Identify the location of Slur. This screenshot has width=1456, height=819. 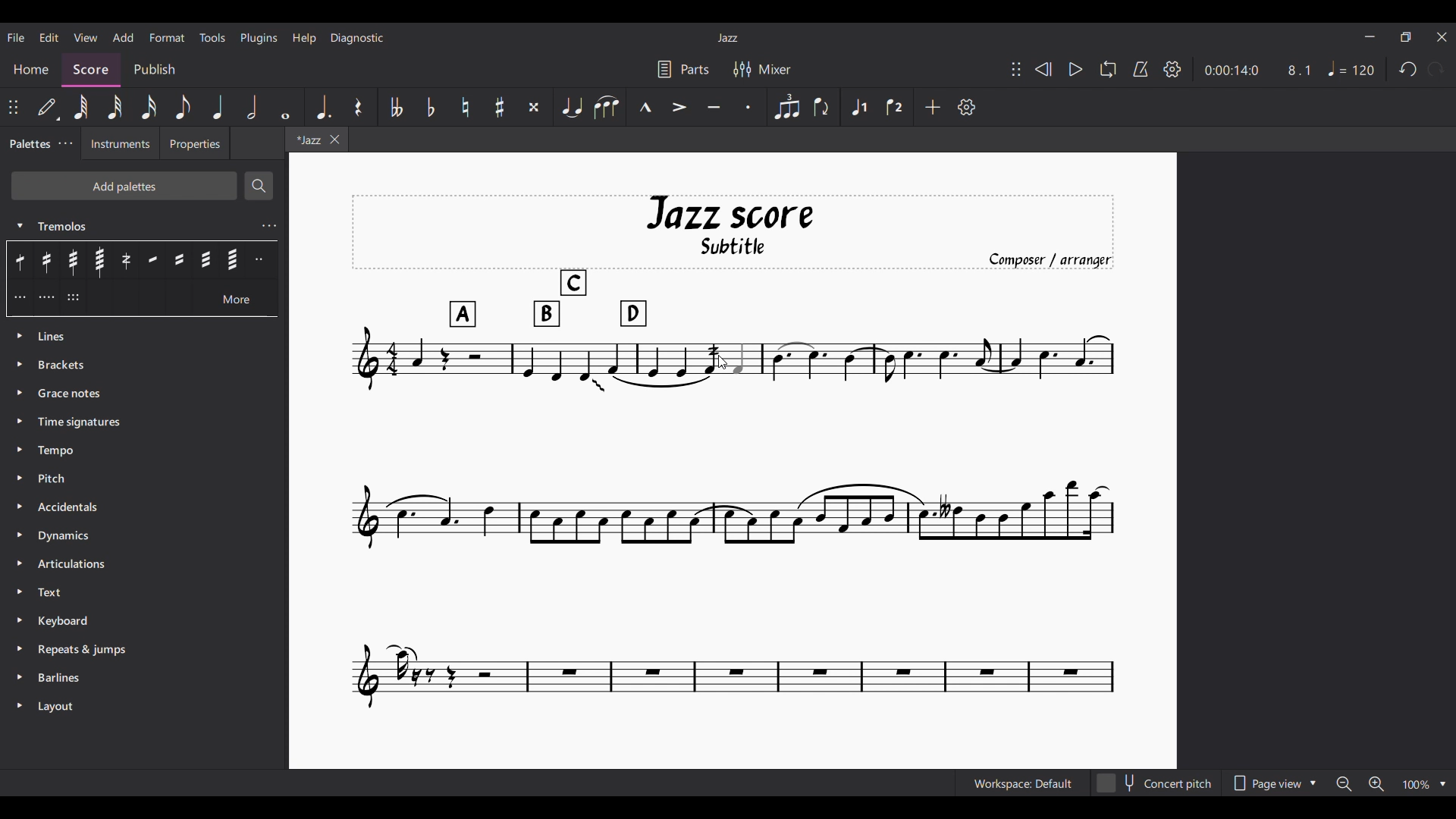
(607, 107).